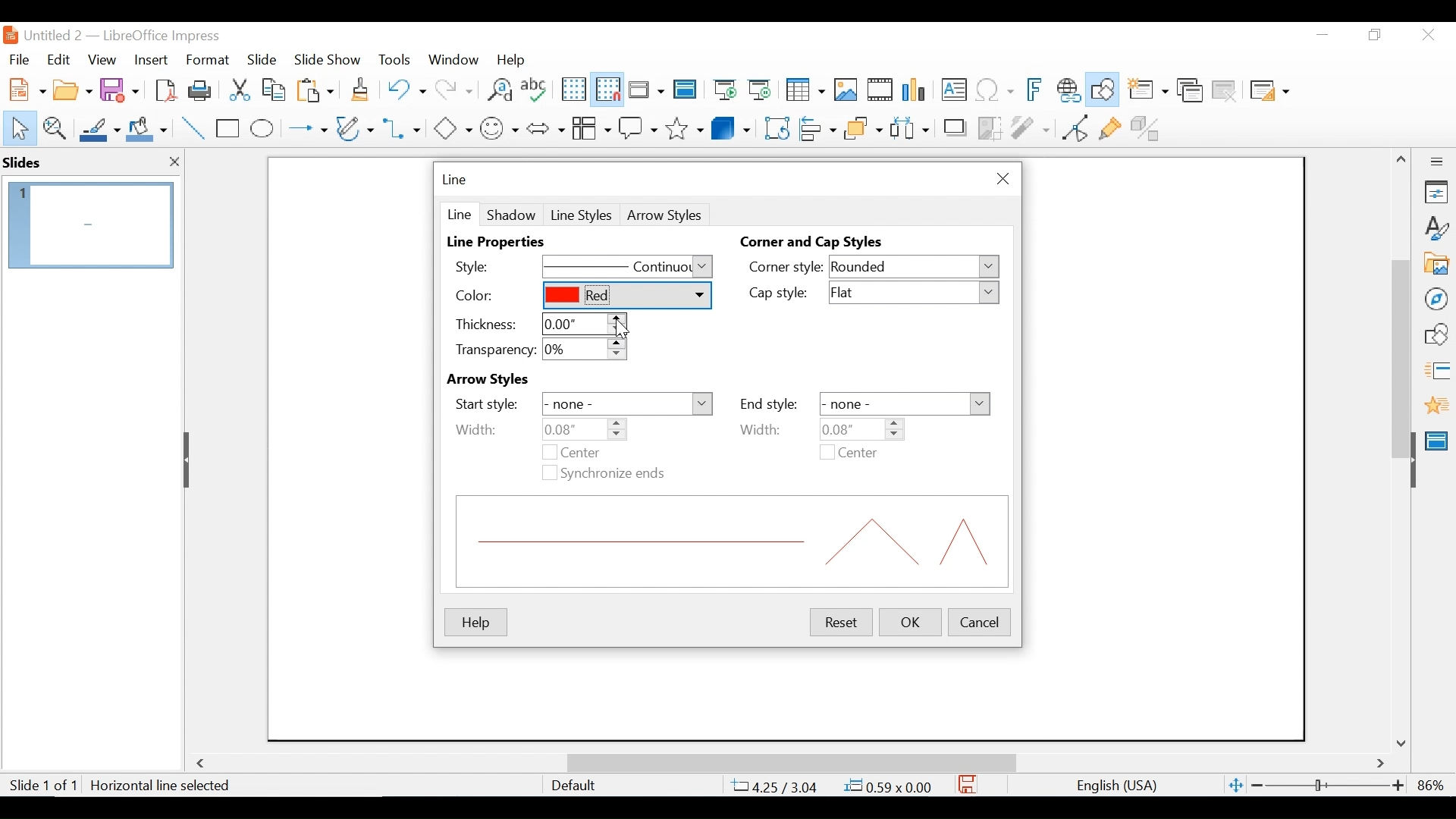 The width and height of the screenshot is (1456, 819). Describe the element at coordinates (909, 127) in the screenshot. I see `Select atleast three images to Distribute` at that location.